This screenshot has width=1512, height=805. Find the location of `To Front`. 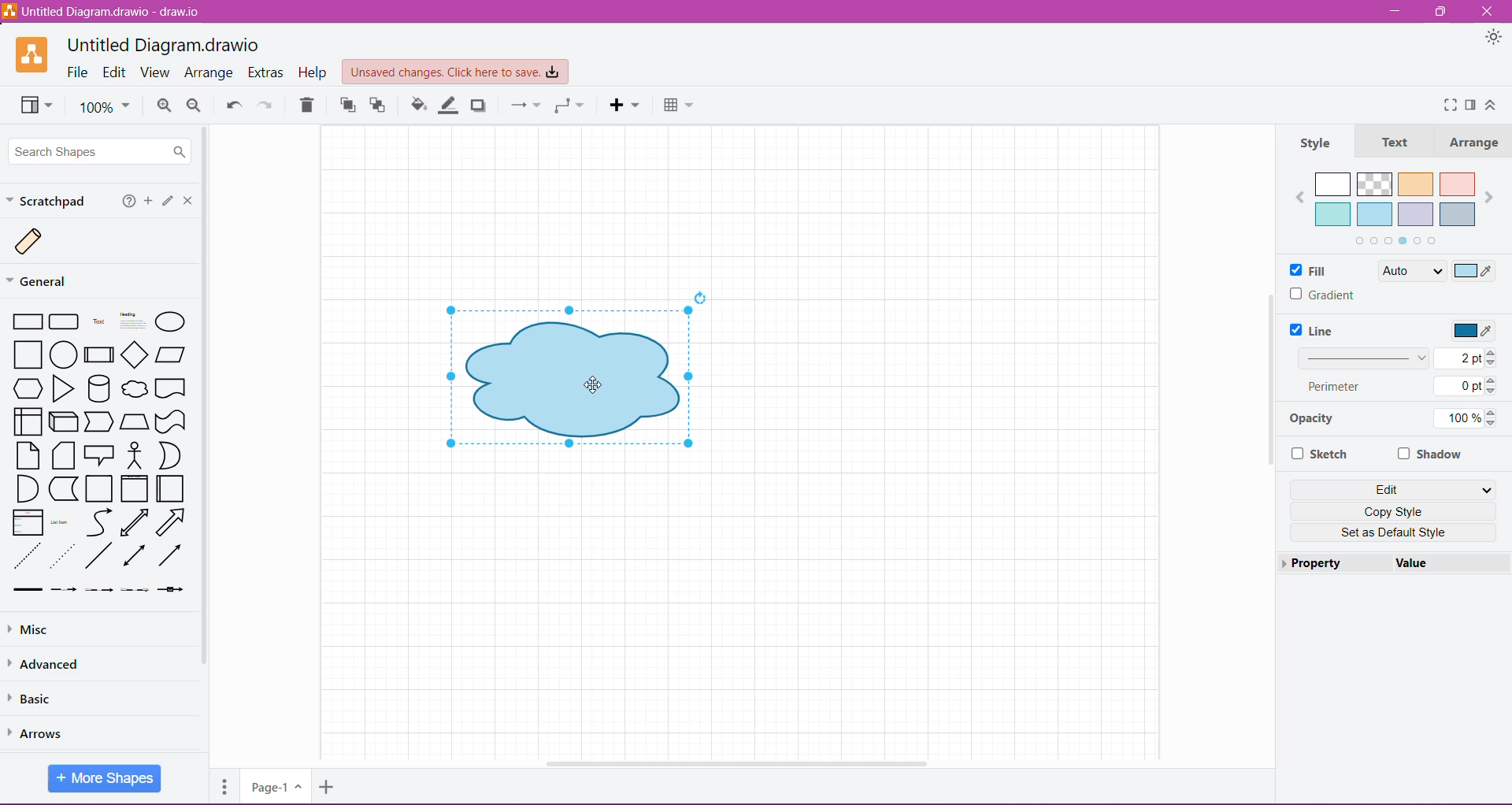

To Front is located at coordinates (346, 106).